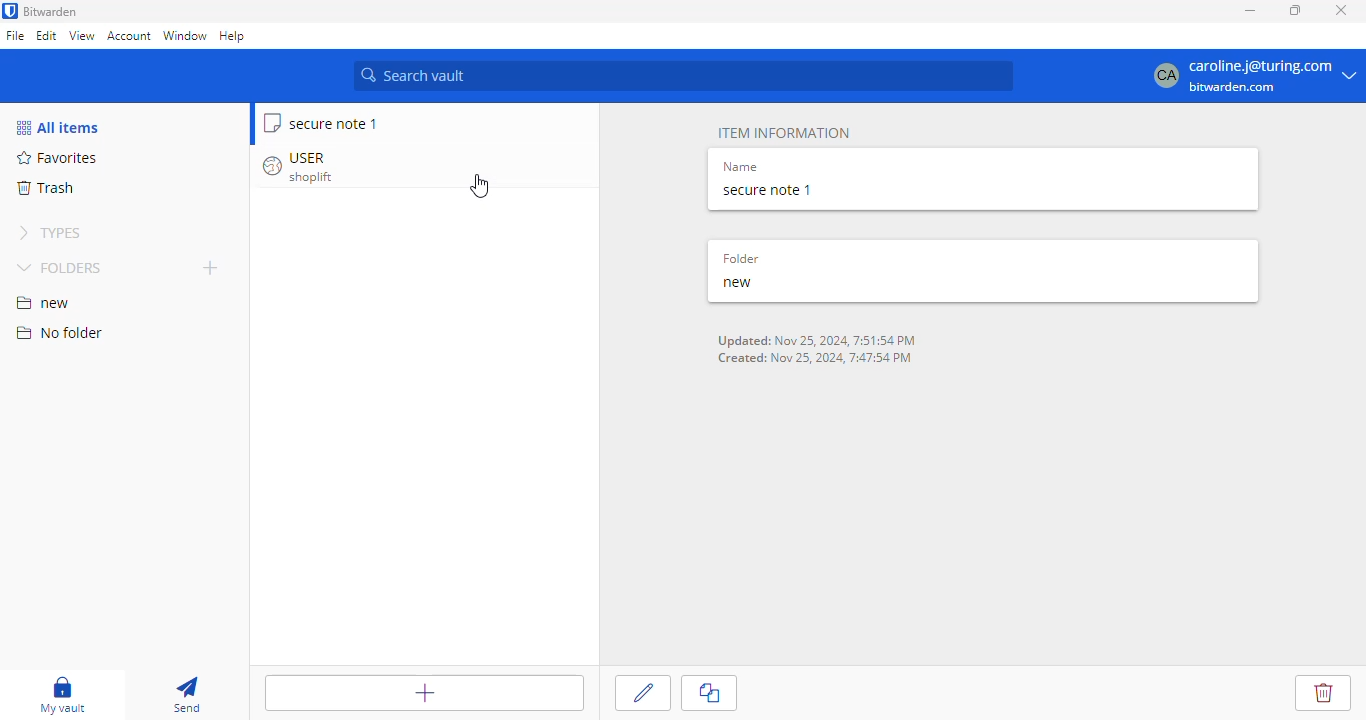  Describe the element at coordinates (770, 191) in the screenshot. I see `secure note 1` at that location.